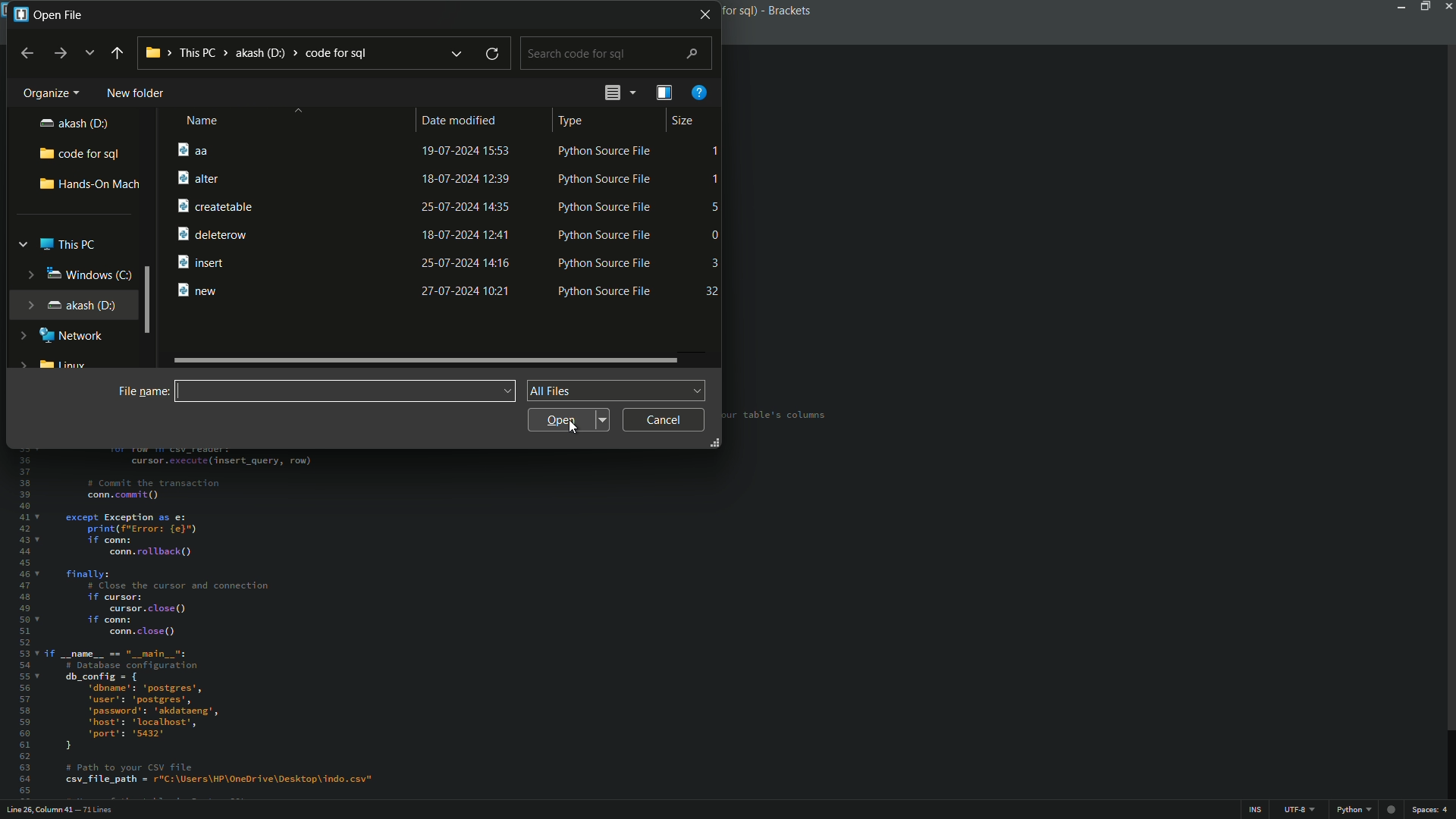 This screenshot has height=819, width=1456. Describe the element at coordinates (36, 811) in the screenshot. I see `cursor position` at that location.